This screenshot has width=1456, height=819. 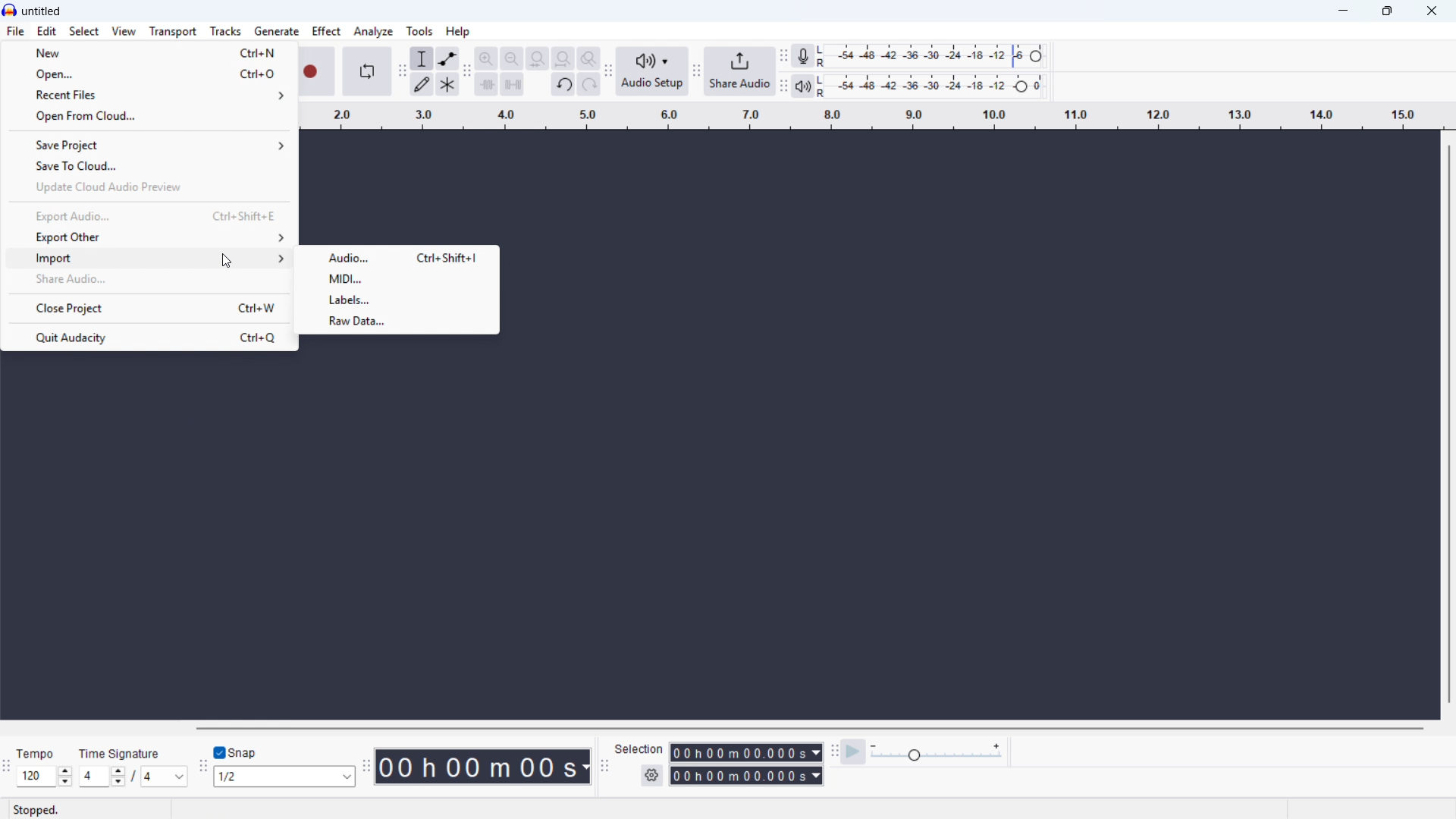 I want to click on Edit toolbar , so click(x=467, y=72).